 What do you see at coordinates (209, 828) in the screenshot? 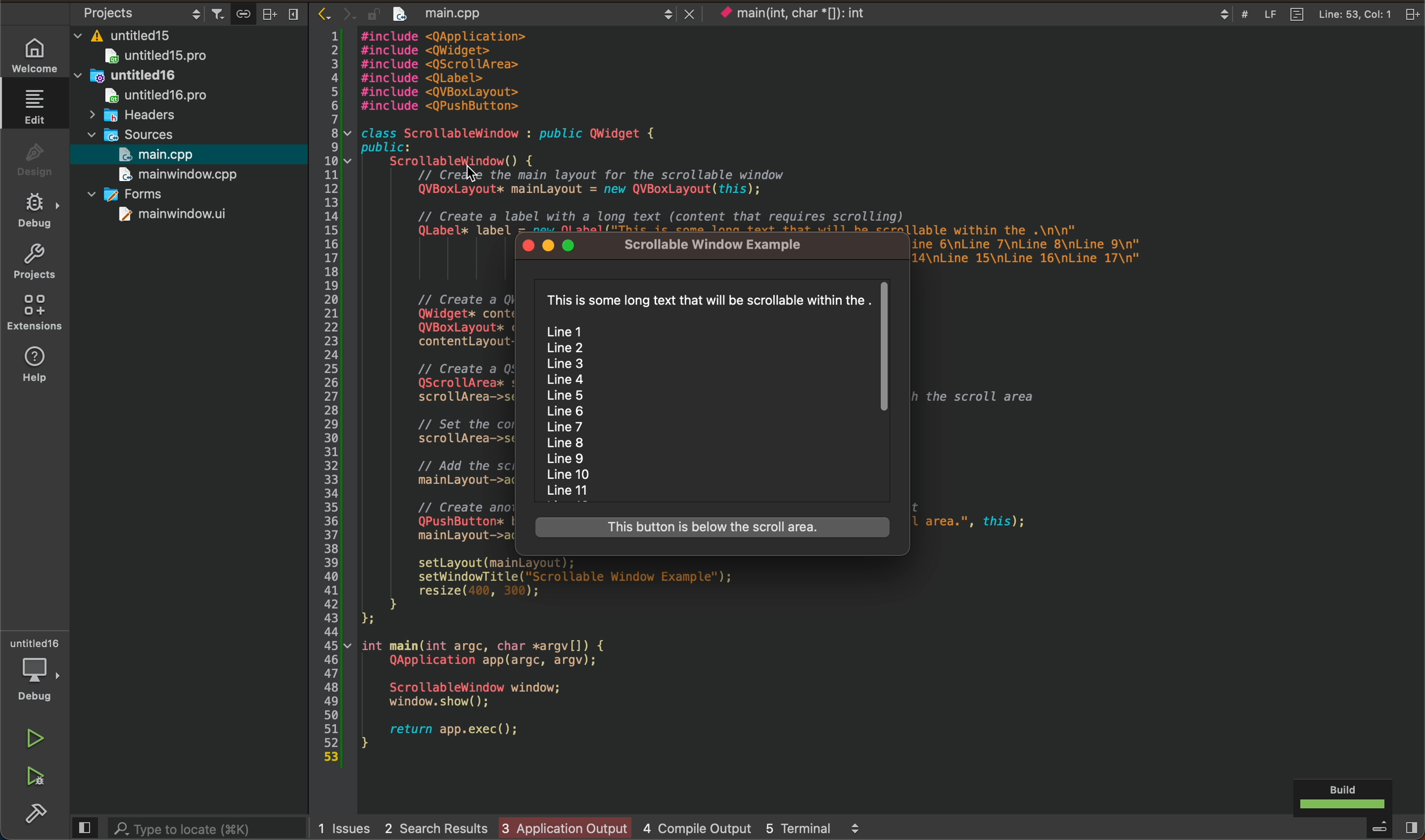
I see `search` at bounding box center [209, 828].